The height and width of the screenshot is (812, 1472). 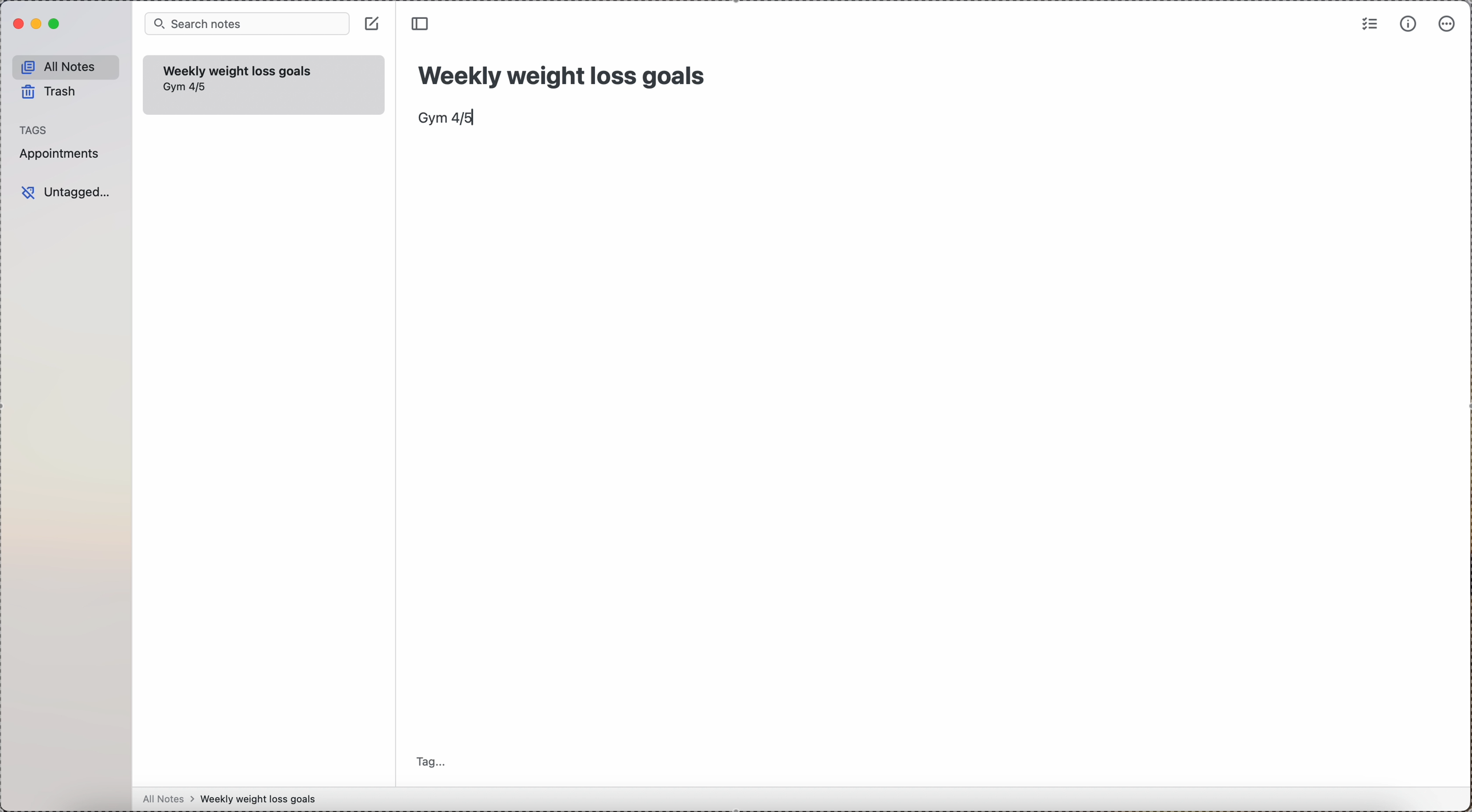 What do you see at coordinates (68, 191) in the screenshot?
I see `untagged` at bounding box center [68, 191].